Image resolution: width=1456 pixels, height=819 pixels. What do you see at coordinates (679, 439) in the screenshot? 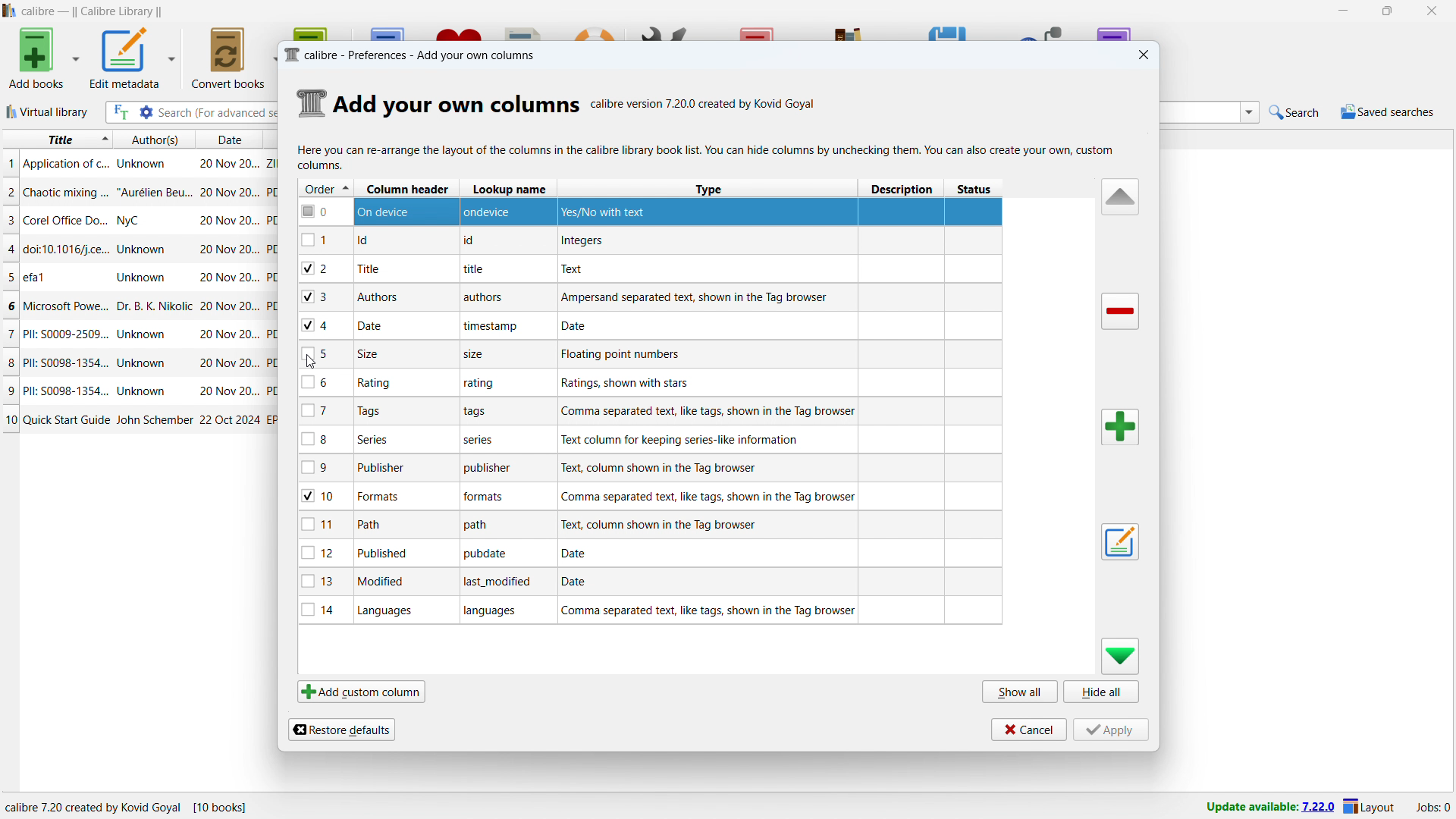
I see `Text column for keeping series-like information` at bounding box center [679, 439].